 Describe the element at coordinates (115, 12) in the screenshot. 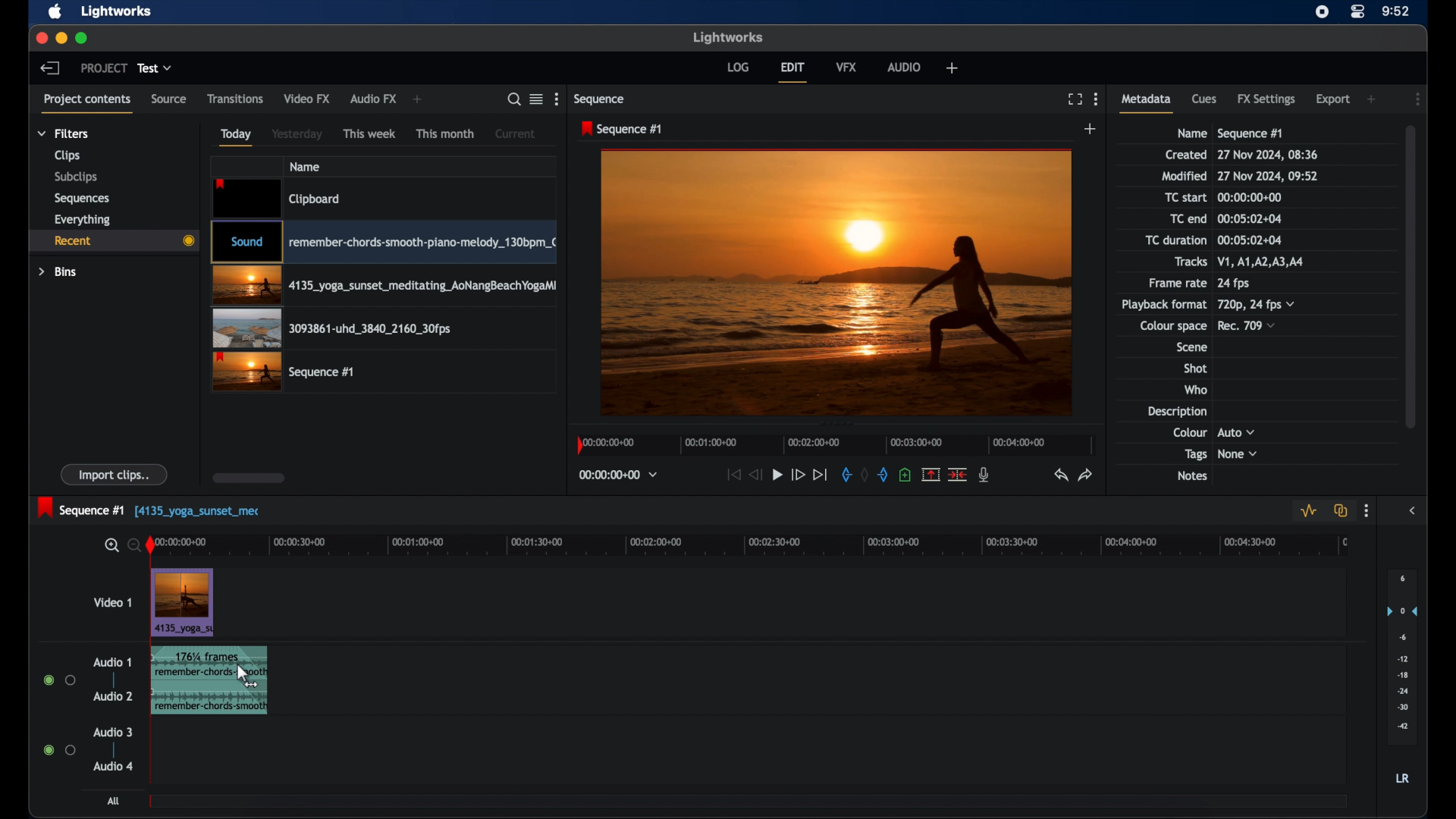

I see `lightworks` at that location.